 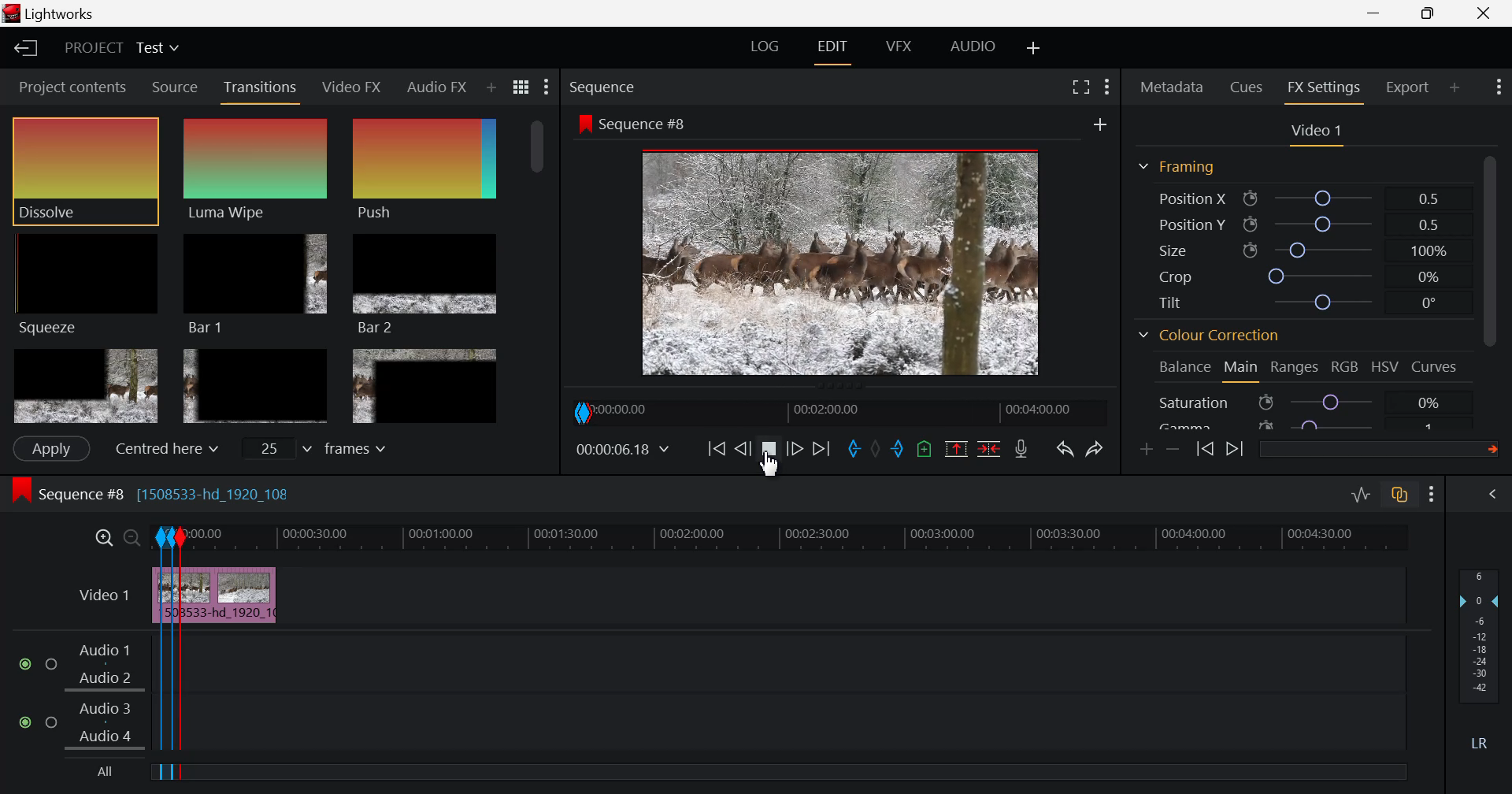 What do you see at coordinates (1400, 495) in the screenshot?
I see `Toggle auto track sync` at bounding box center [1400, 495].